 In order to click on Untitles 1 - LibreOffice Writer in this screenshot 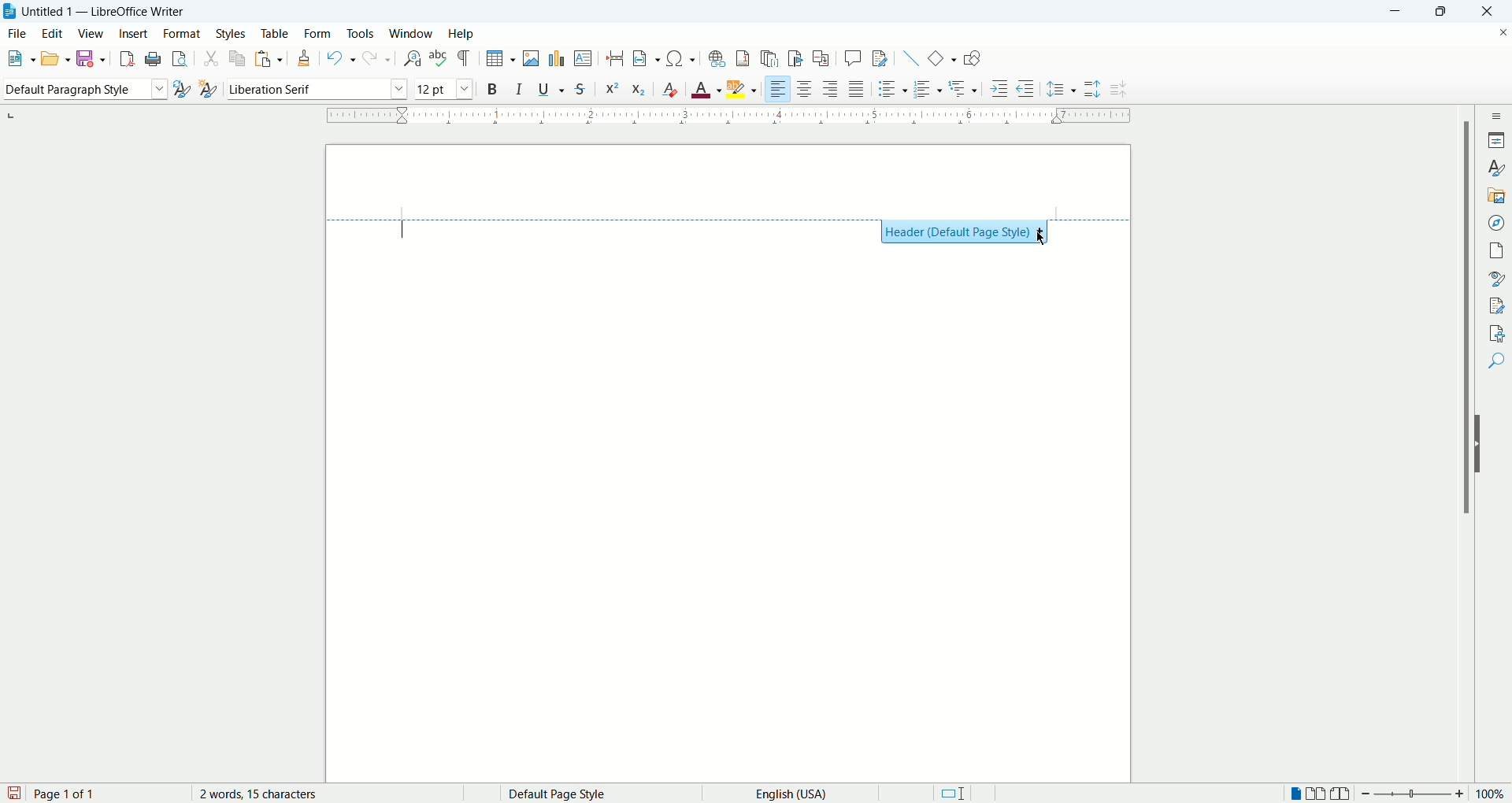, I will do `click(109, 12)`.